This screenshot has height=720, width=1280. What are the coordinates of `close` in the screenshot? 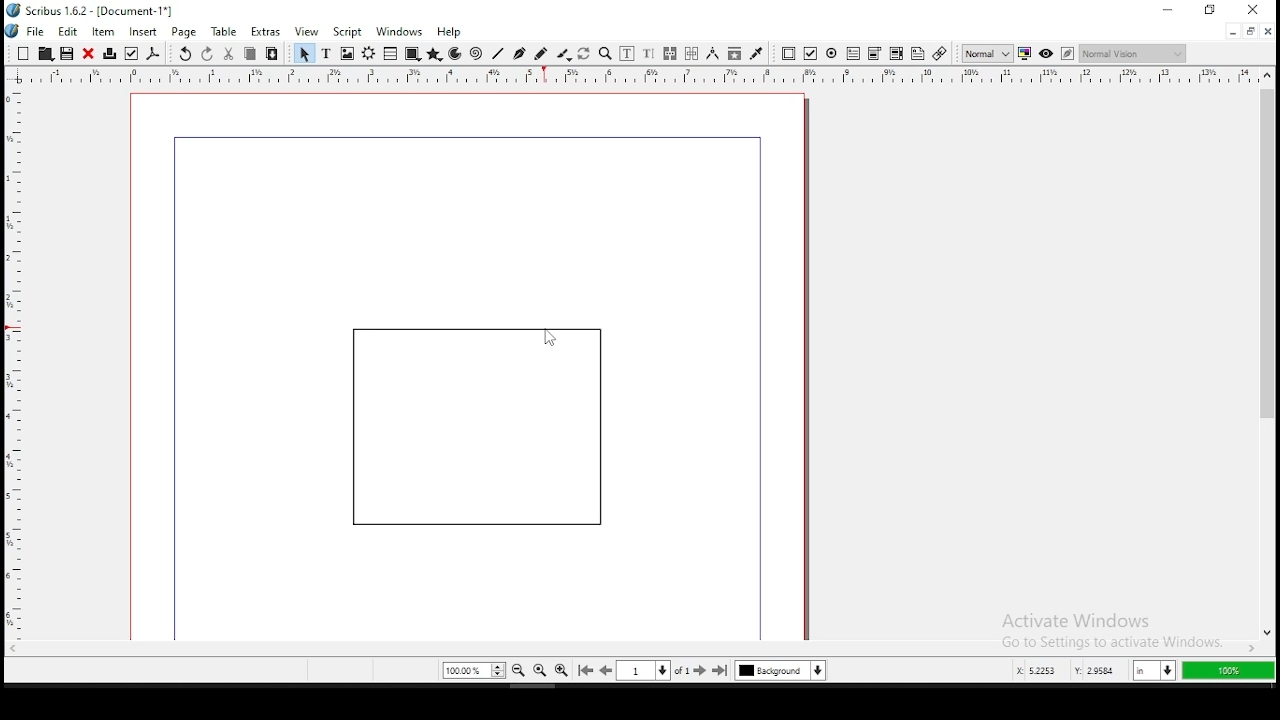 It's located at (1255, 10).